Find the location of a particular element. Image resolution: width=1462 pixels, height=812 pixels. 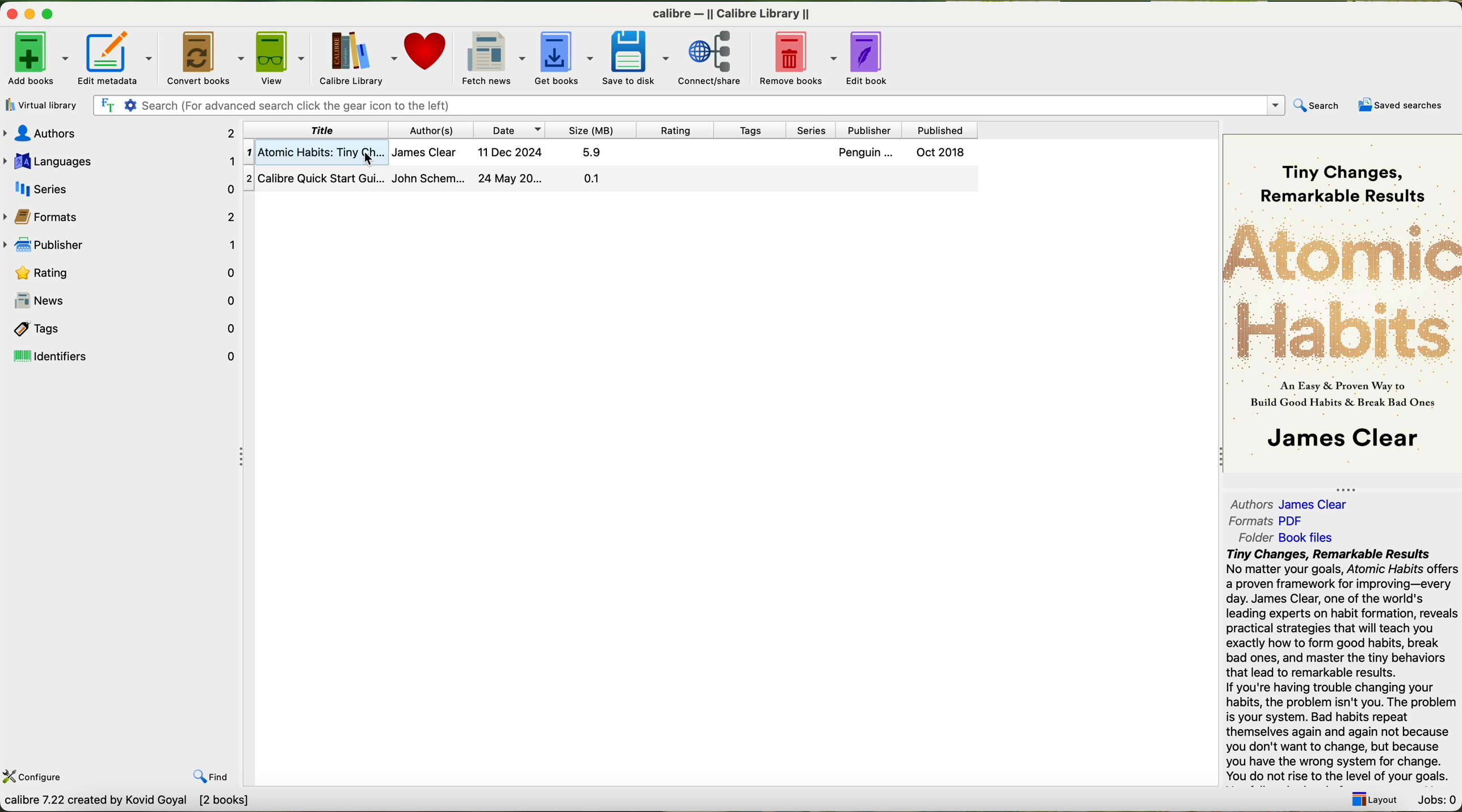

languages is located at coordinates (119, 161).